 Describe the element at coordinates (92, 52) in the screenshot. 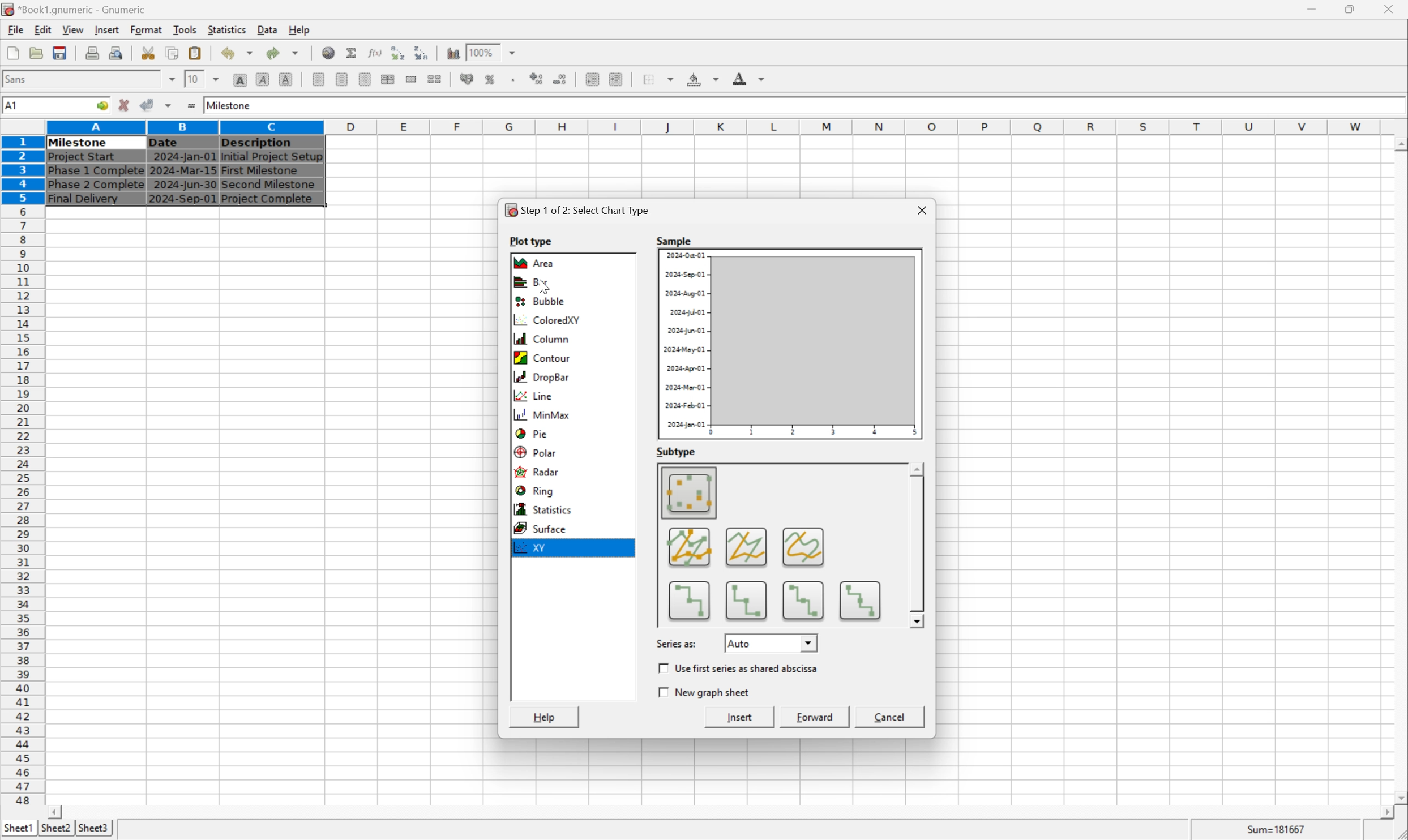

I see `print preview` at that location.